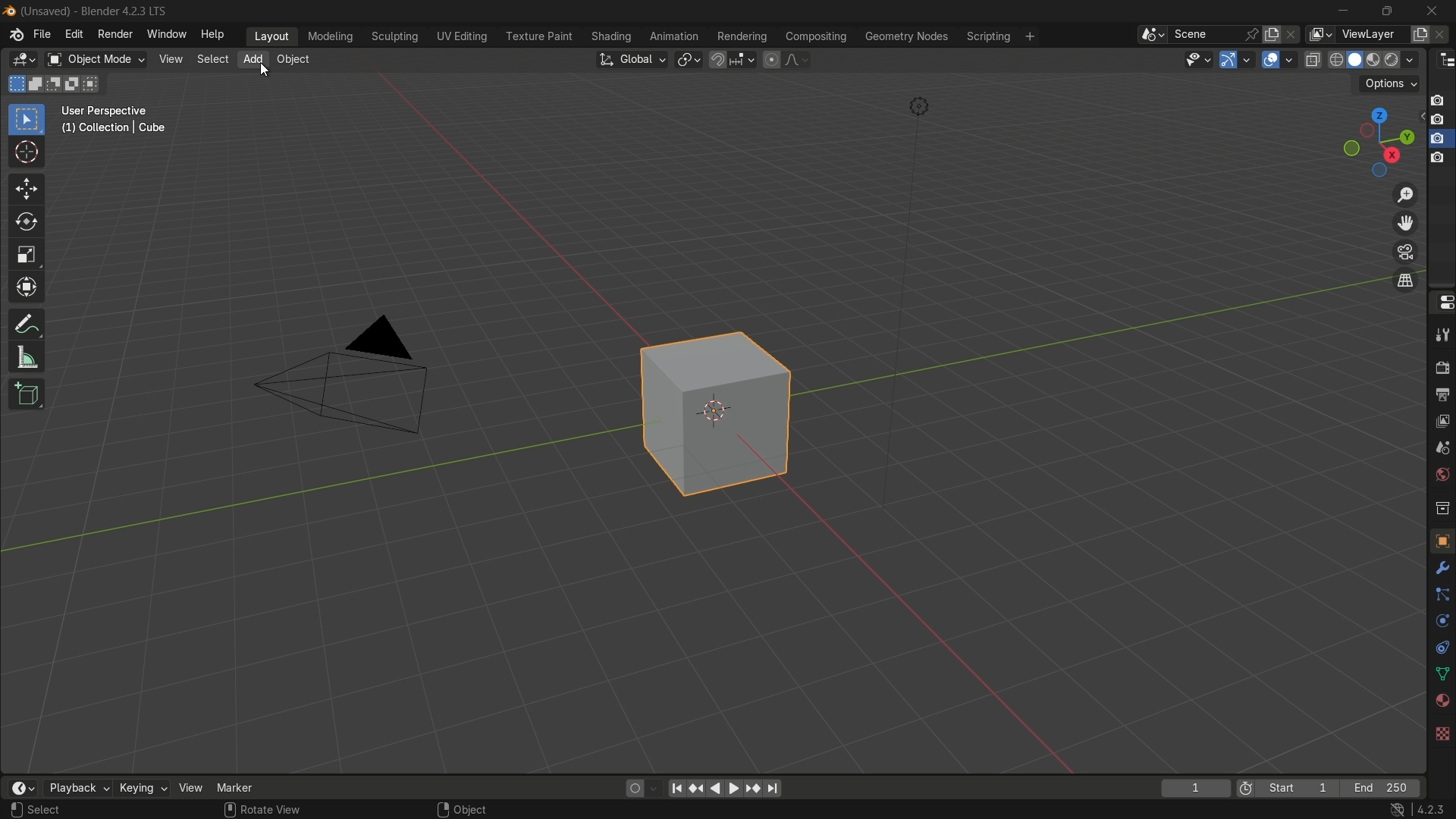 The width and height of the screenshot is (1456, 819). What do you see at coordinates (1442, 34) in the screenshot?
I see `remove layer` at bounding box center [1442, 34].